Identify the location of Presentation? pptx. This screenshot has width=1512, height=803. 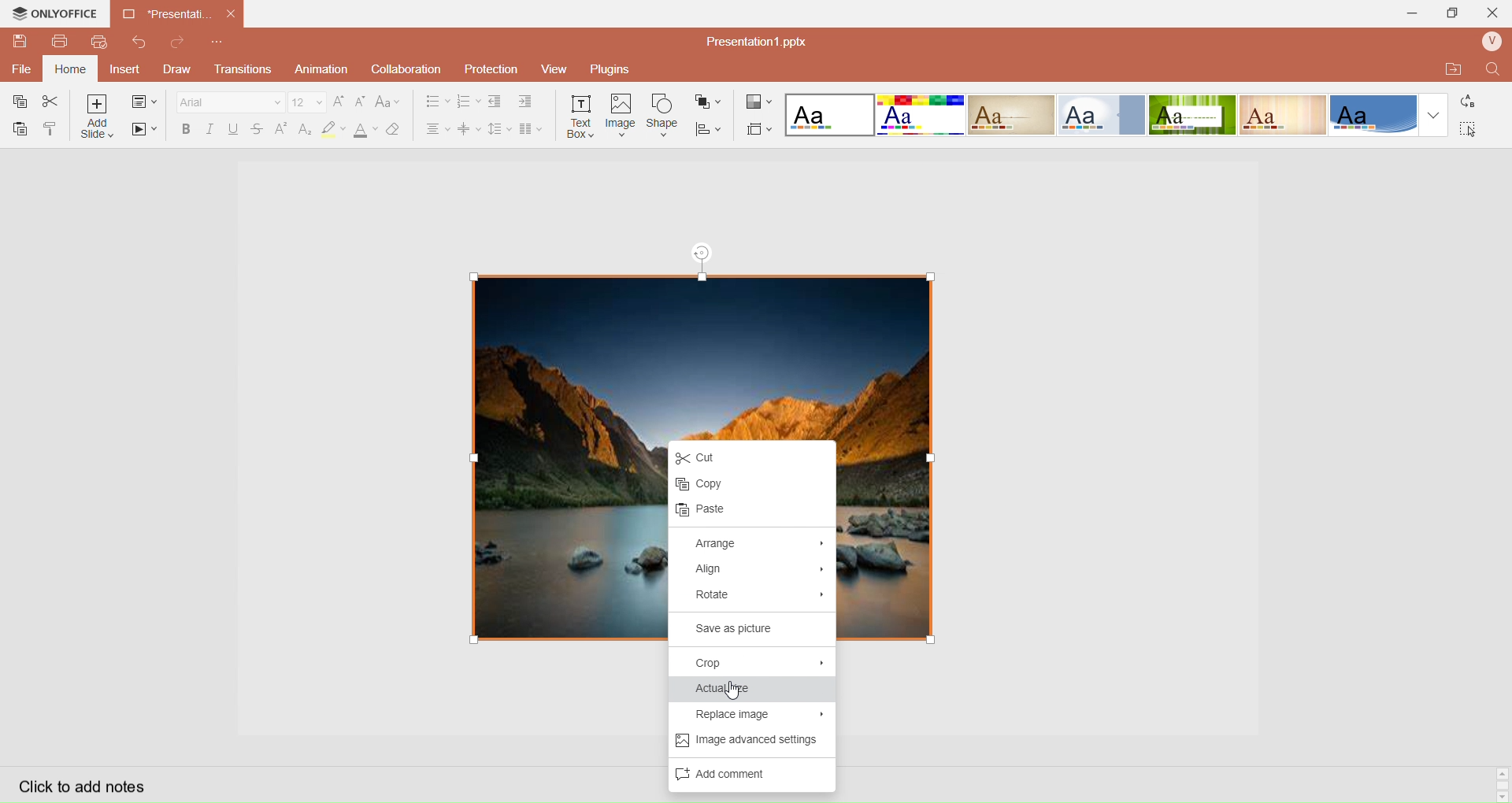
(756, 41).